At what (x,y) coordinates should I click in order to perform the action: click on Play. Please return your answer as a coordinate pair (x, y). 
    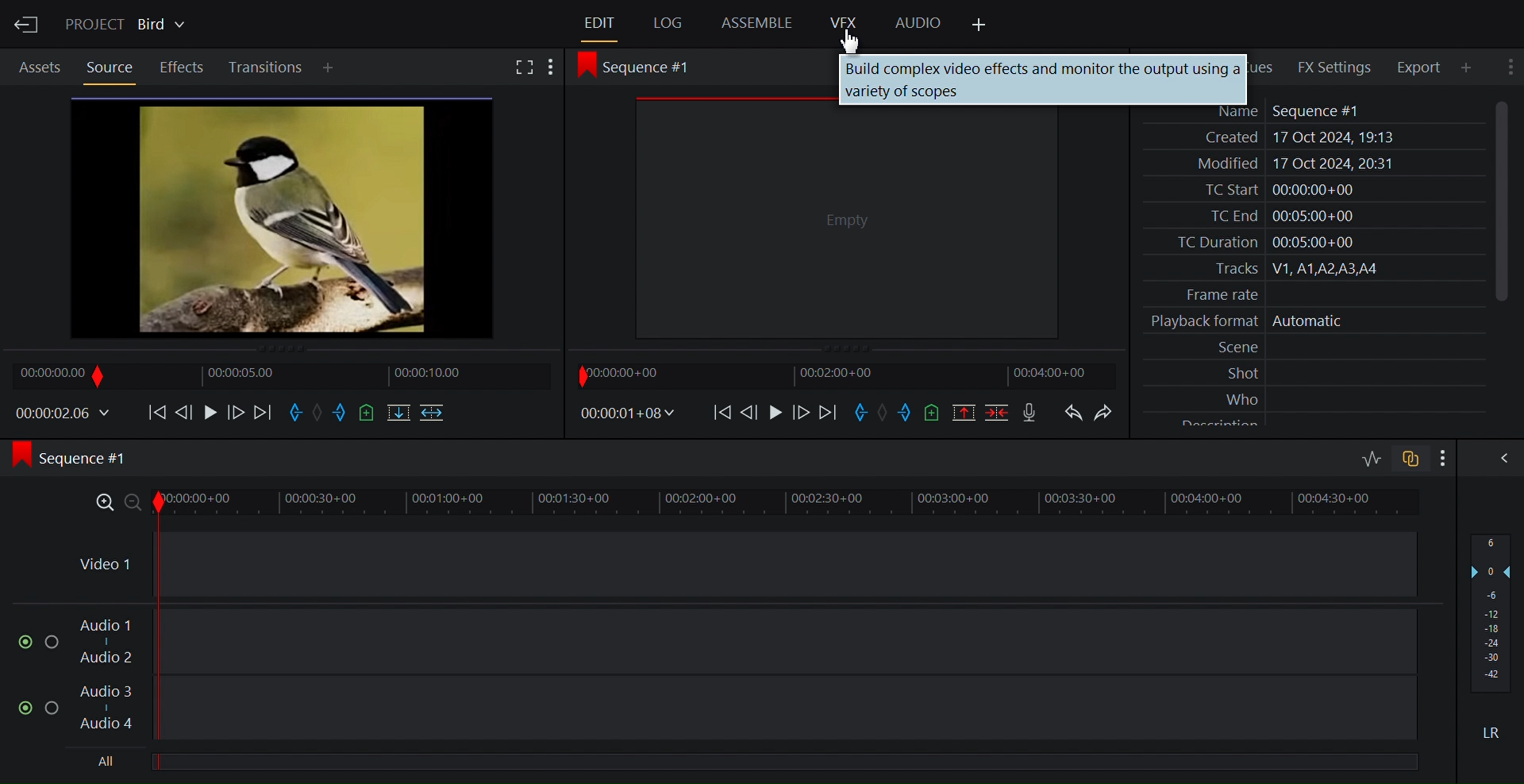
    Looking at the image, I should click on (207, 411).